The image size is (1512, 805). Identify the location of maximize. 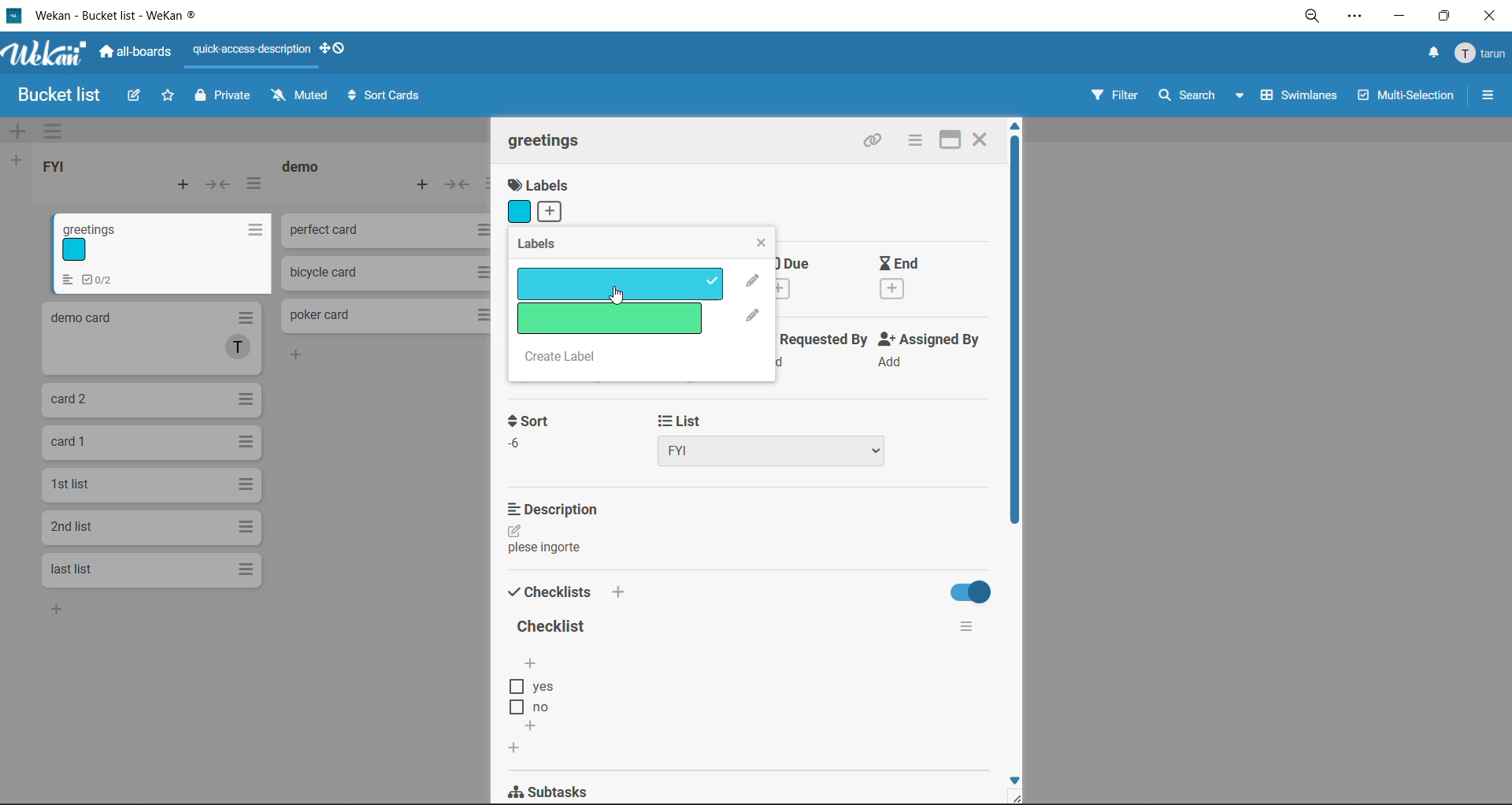
(950, 139).